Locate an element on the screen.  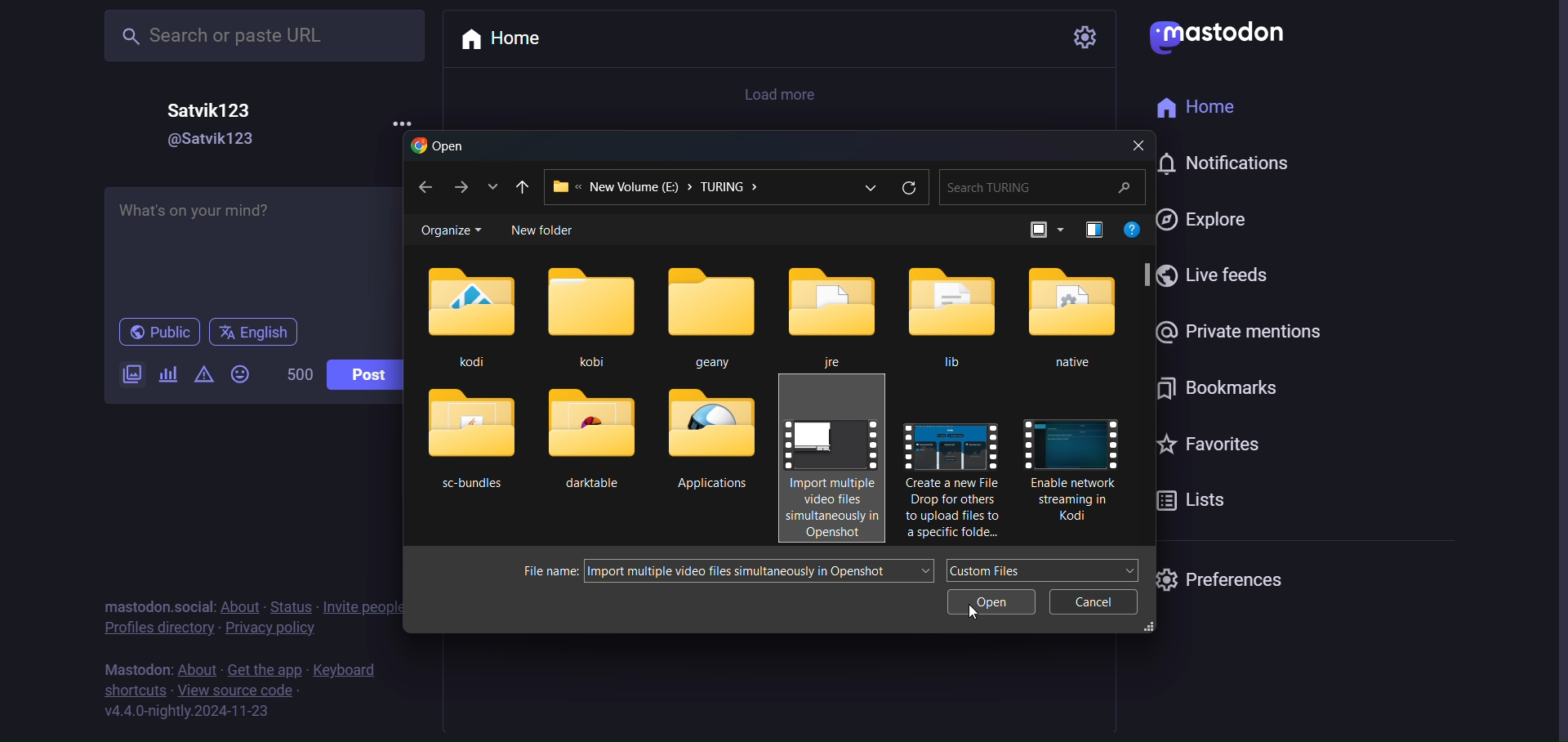
home is located at coordinates (1205, 108).